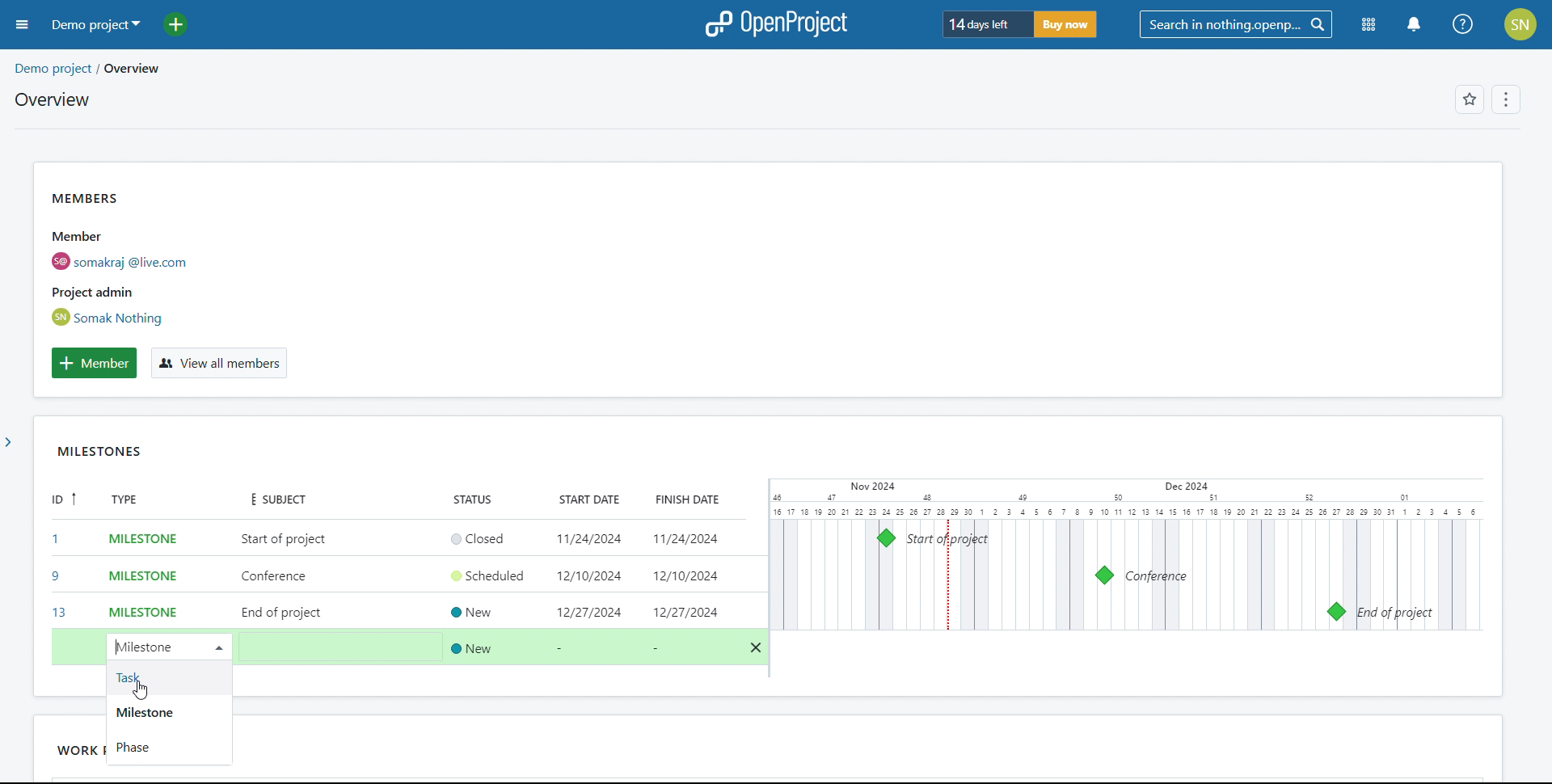  I want to click on search, so click(1235, 25).